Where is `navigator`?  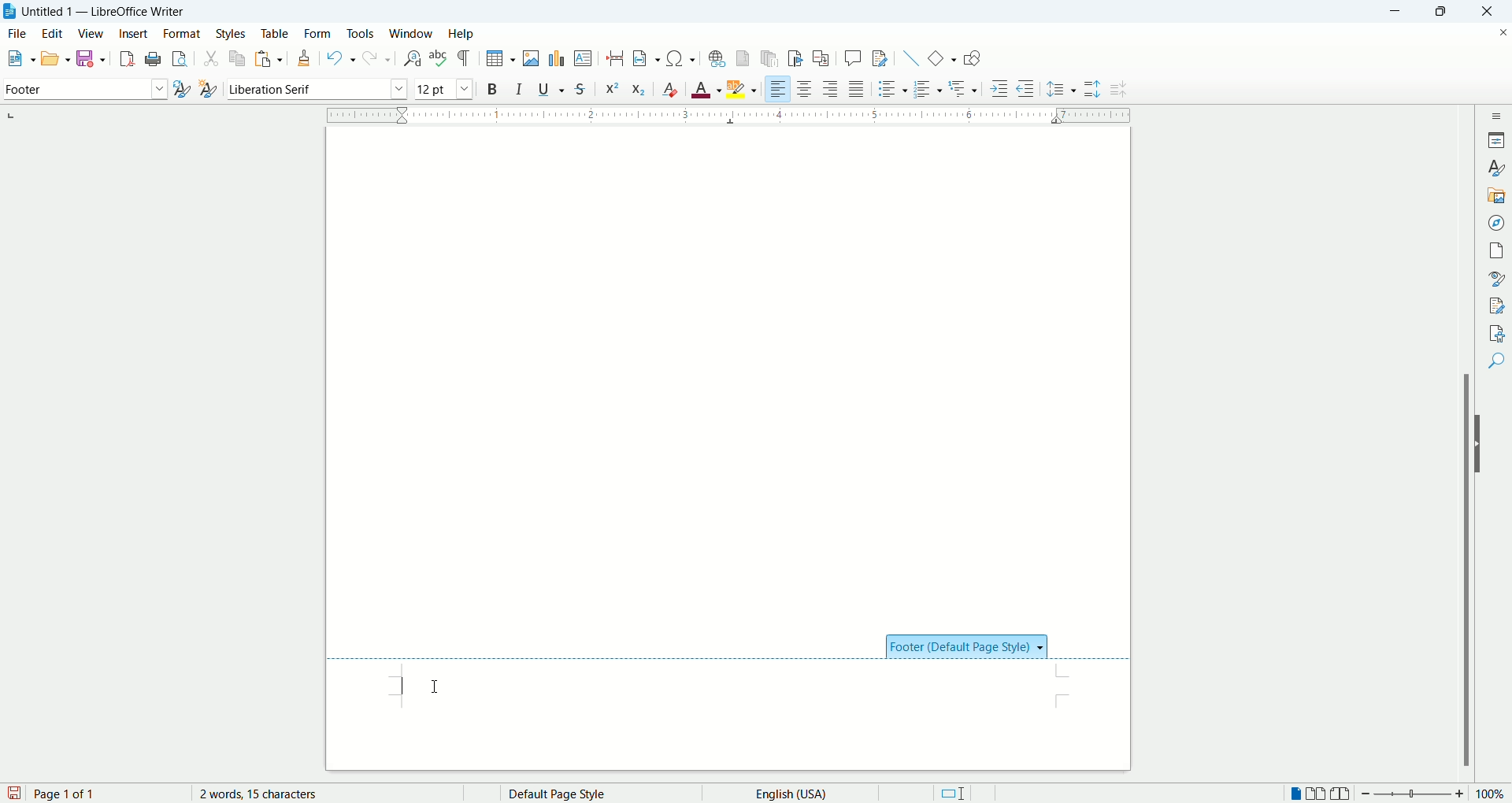 navigator is located at coordinates (1499, 221).